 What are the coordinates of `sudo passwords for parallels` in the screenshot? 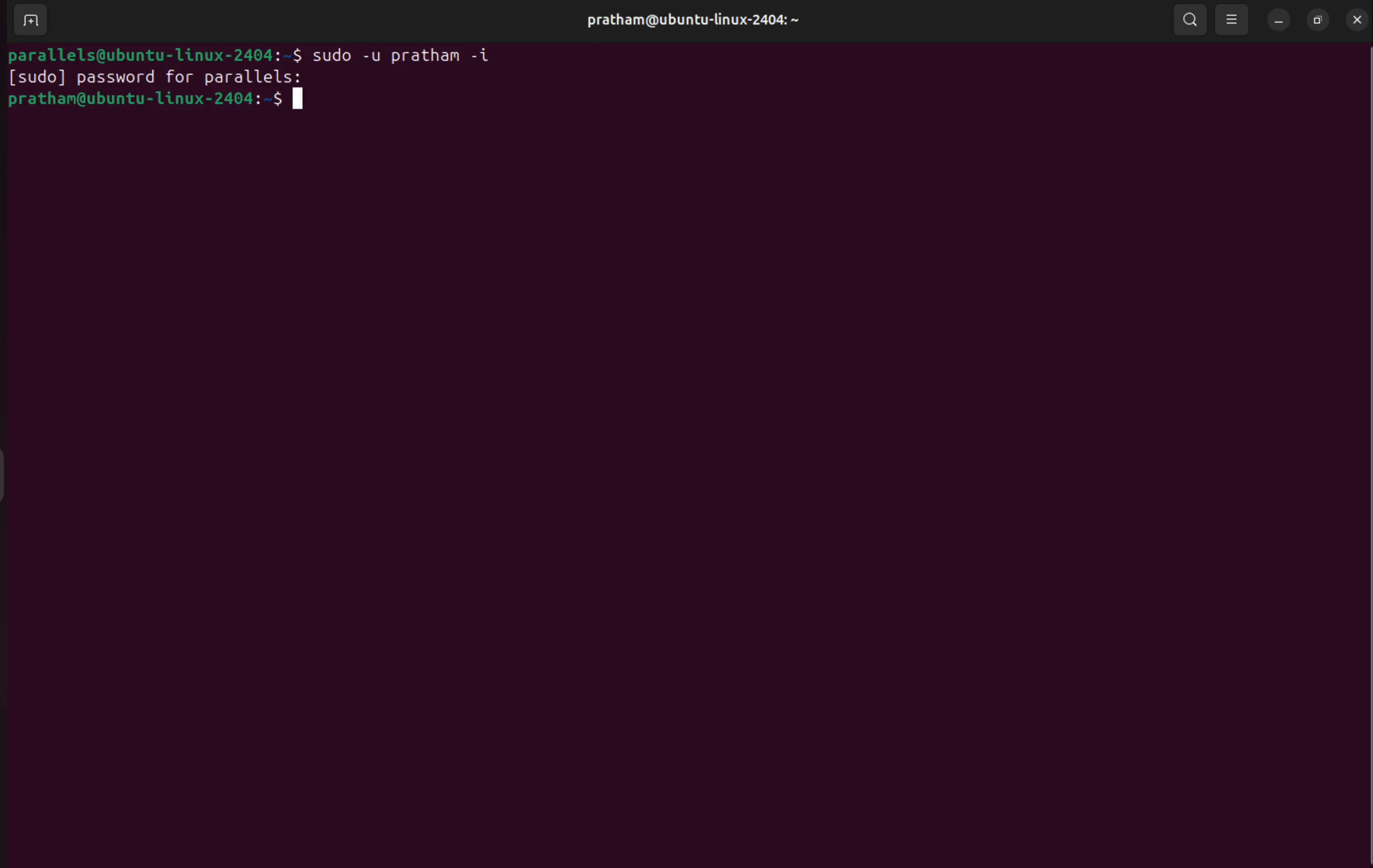 It's located at (152, 77).